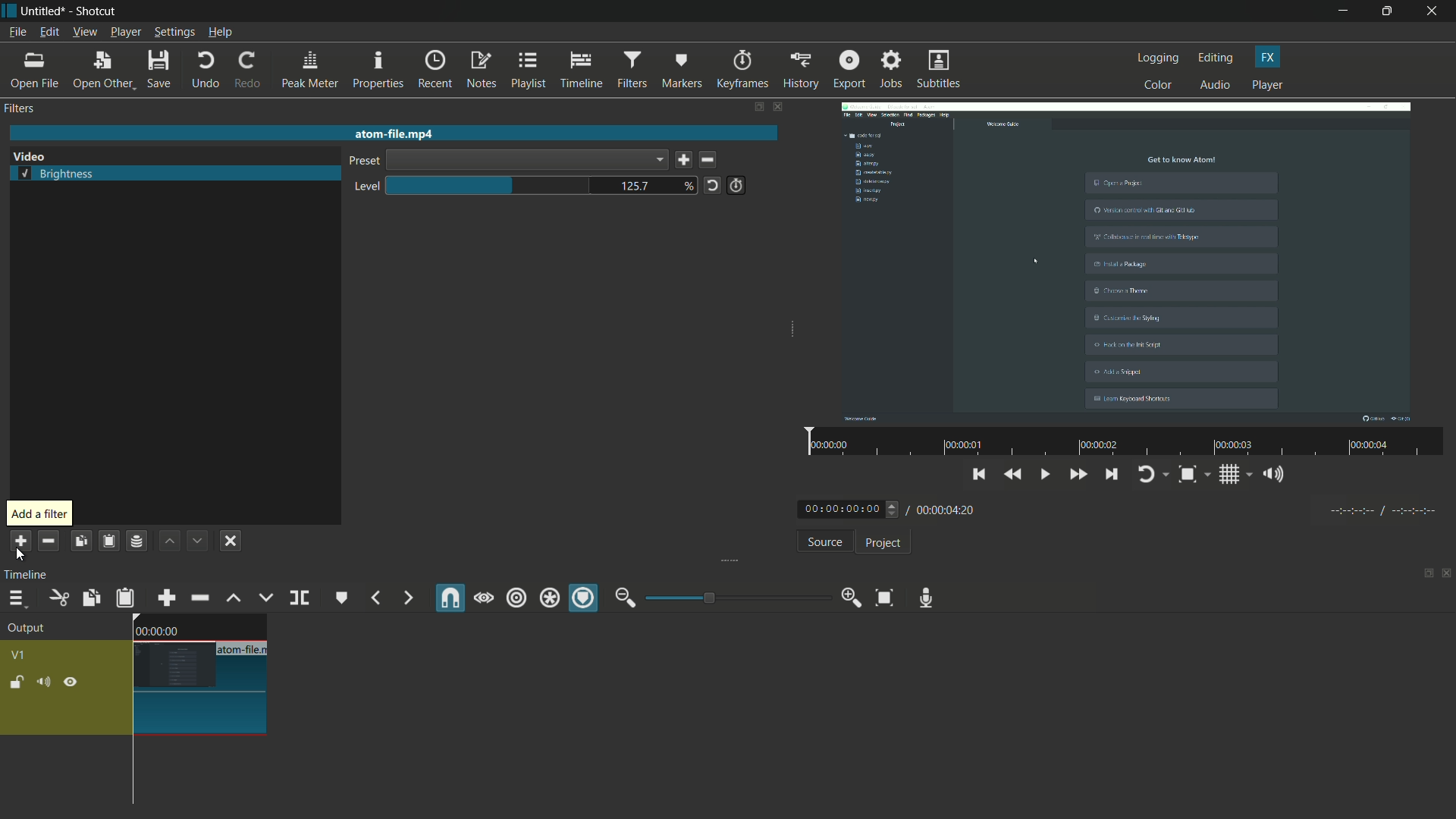 The image size is (1456, 819). I want to click on cursor, so click(1039, 258).